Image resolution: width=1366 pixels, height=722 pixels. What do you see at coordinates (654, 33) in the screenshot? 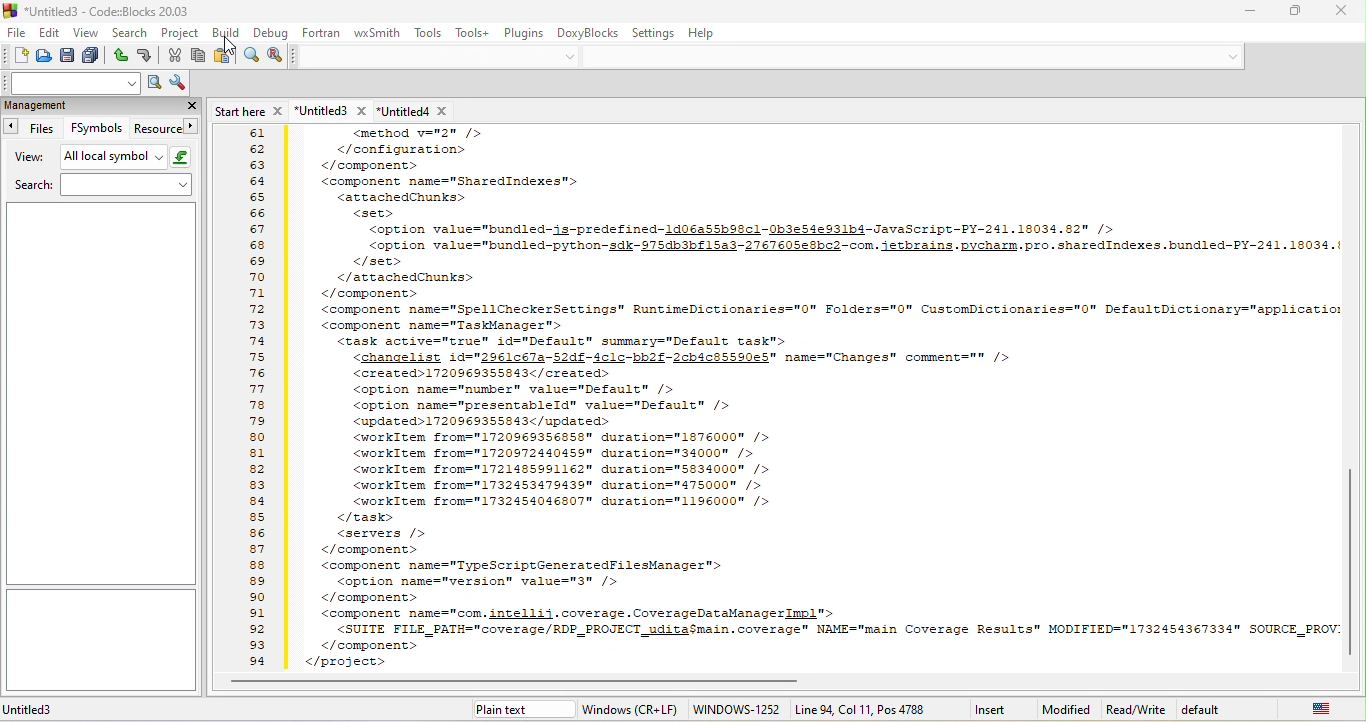
I see `settings` at bounding box center [654, 33].